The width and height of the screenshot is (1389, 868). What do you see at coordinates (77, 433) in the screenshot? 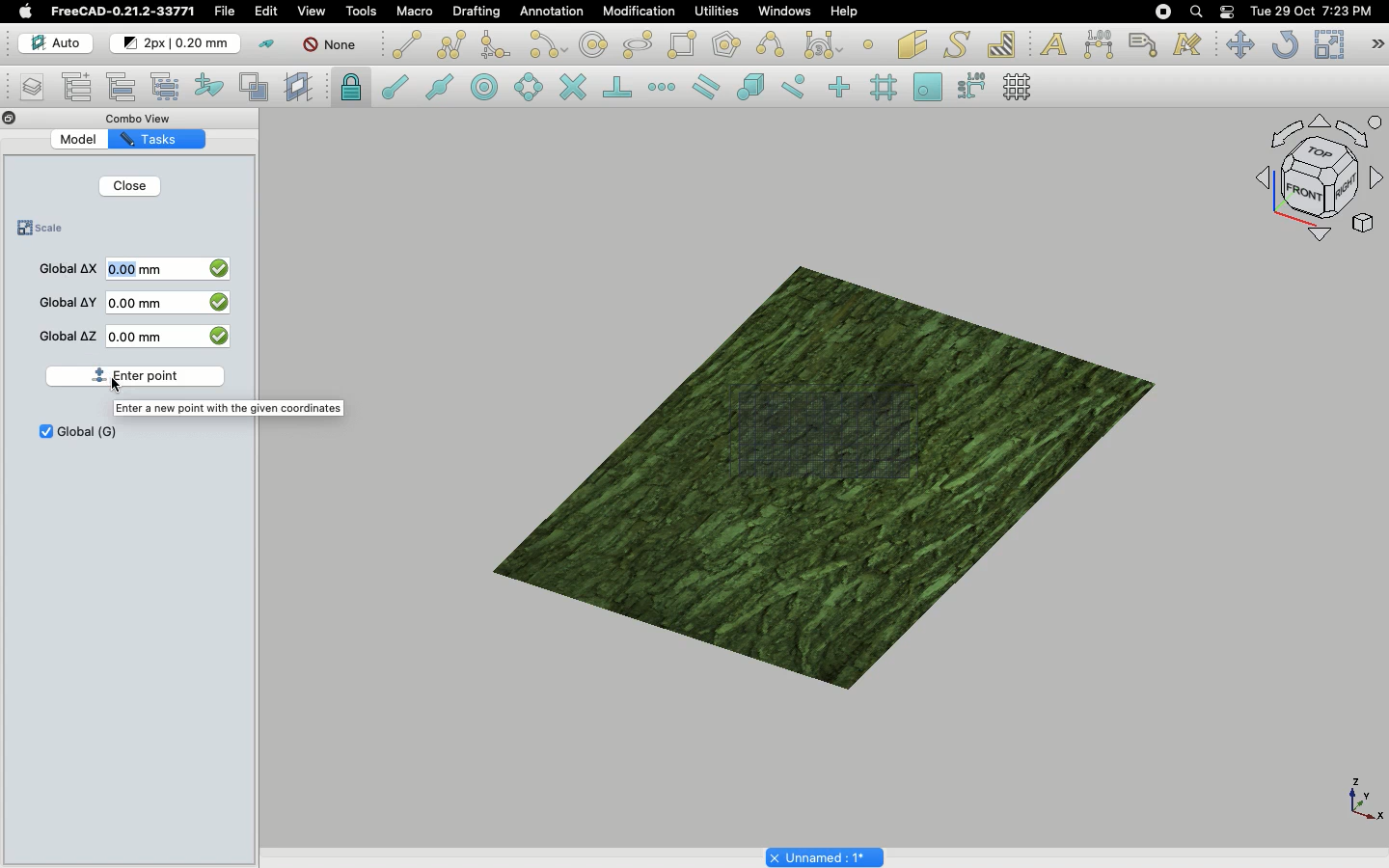
I see `Global` at bounding box center [77, 433].